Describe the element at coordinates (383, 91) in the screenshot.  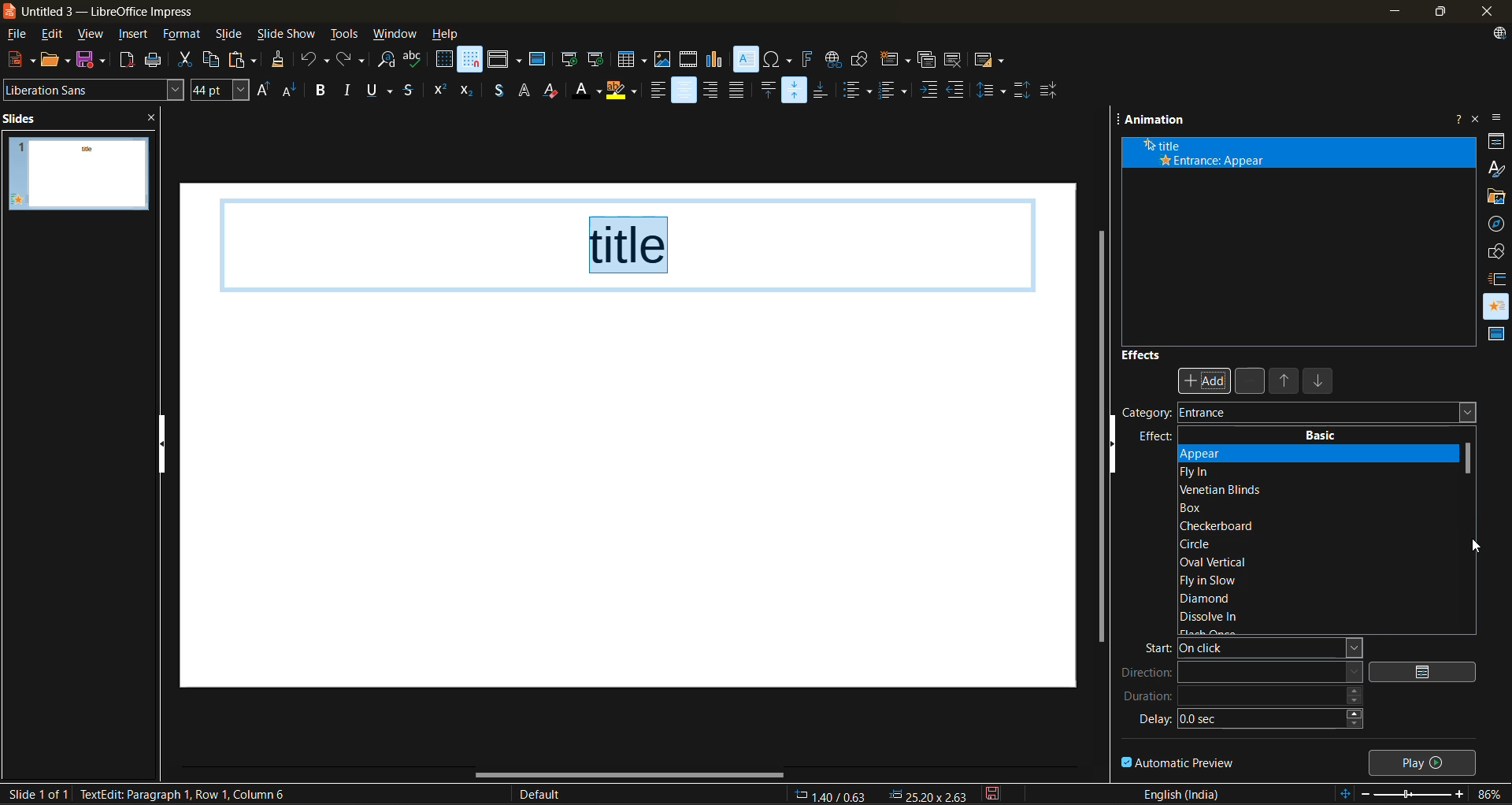
I see `underline` at that location.